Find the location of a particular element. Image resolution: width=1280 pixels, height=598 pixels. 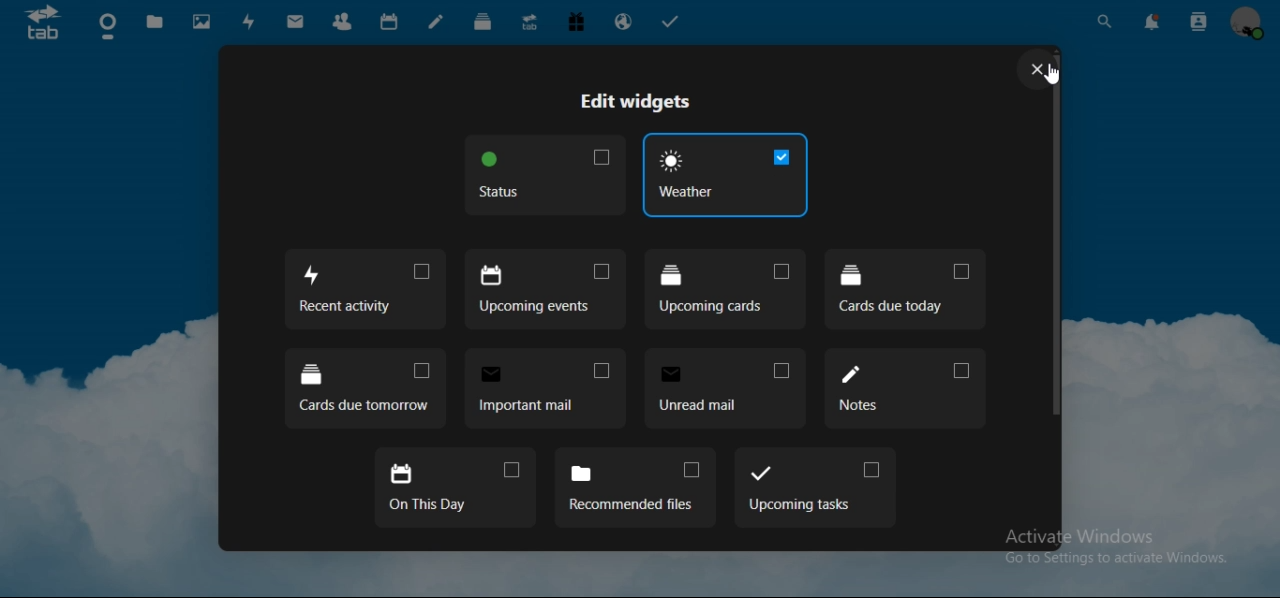

deck is located at coordinates (486, 22).